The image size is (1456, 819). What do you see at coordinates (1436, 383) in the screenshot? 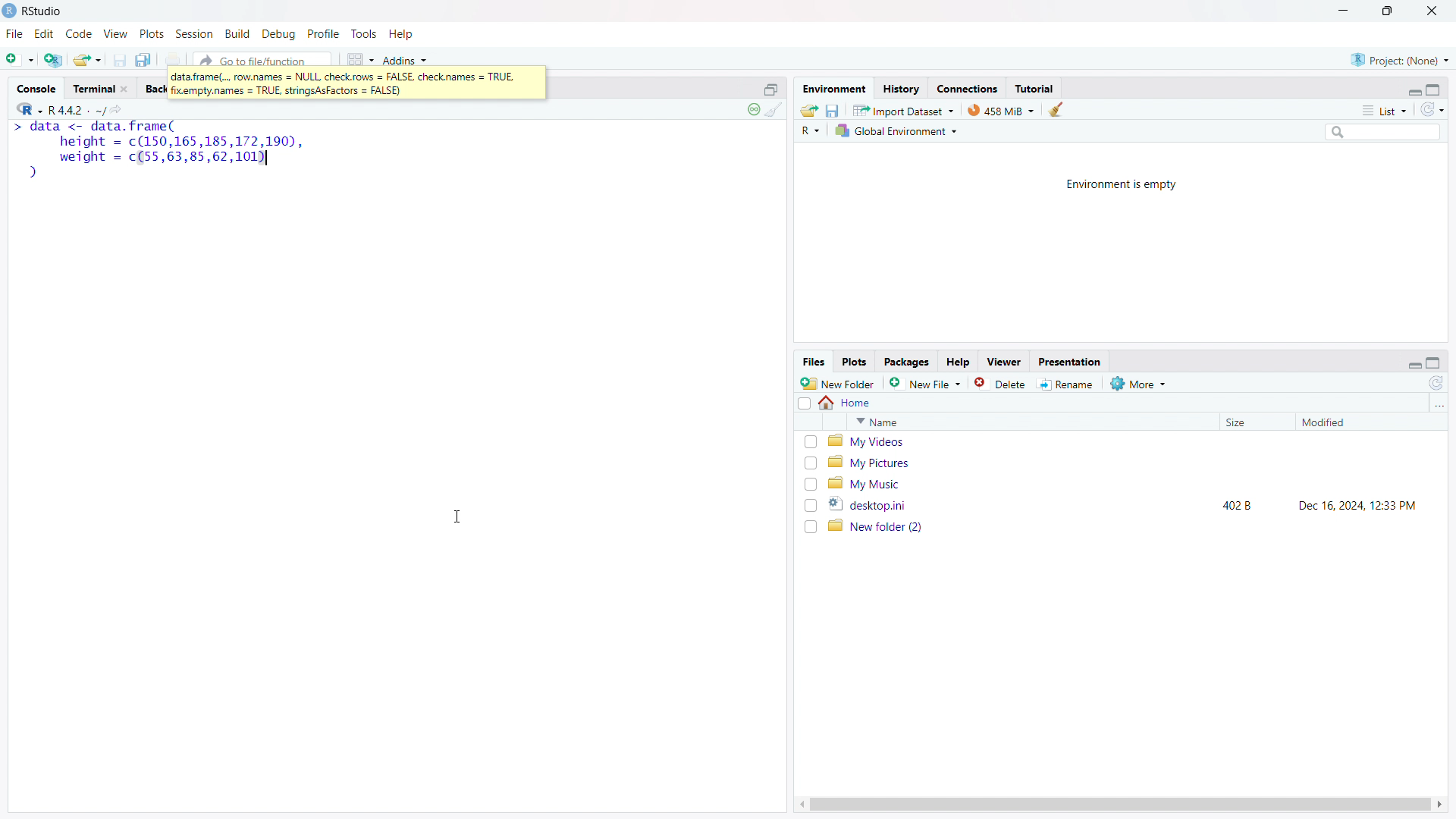
I see `refresh` at bounding box center [1436, 383].